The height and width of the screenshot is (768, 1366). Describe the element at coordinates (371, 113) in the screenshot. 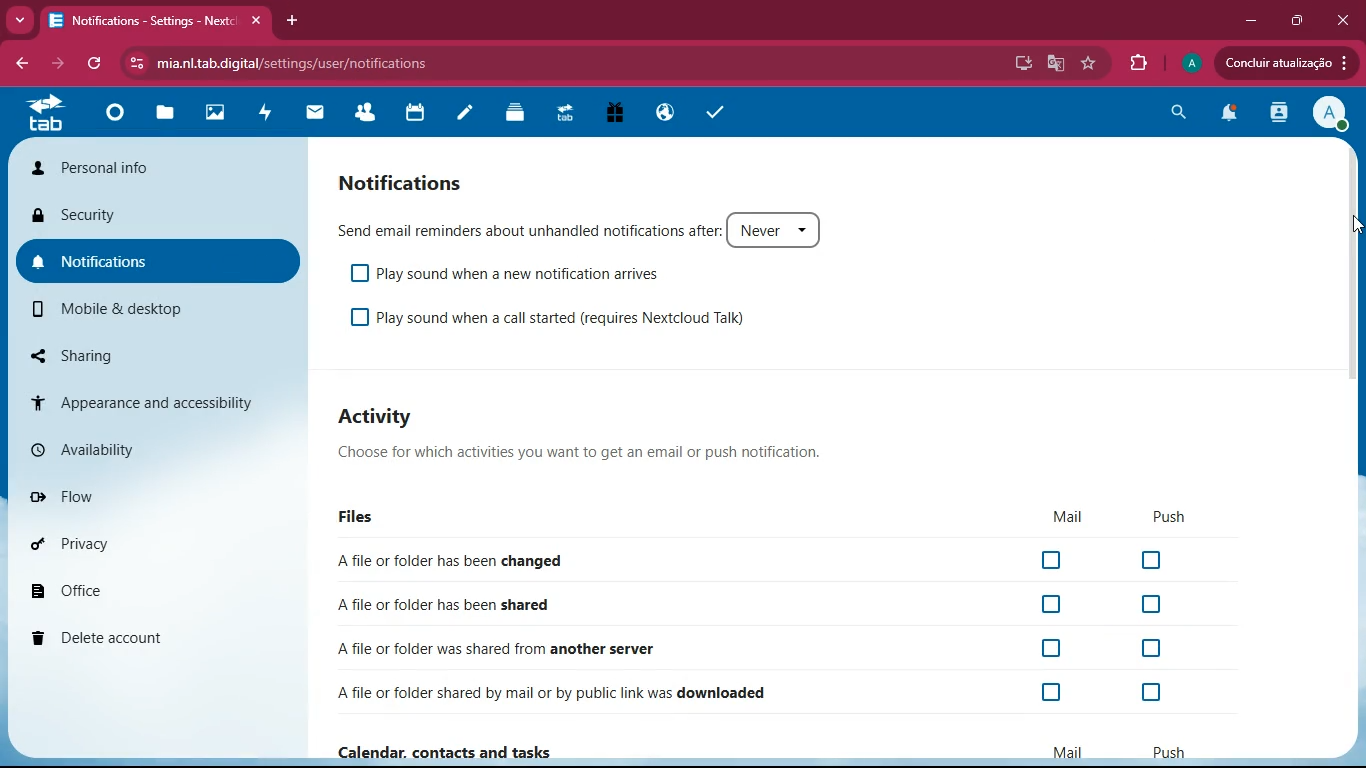

I see `friends` at that location.